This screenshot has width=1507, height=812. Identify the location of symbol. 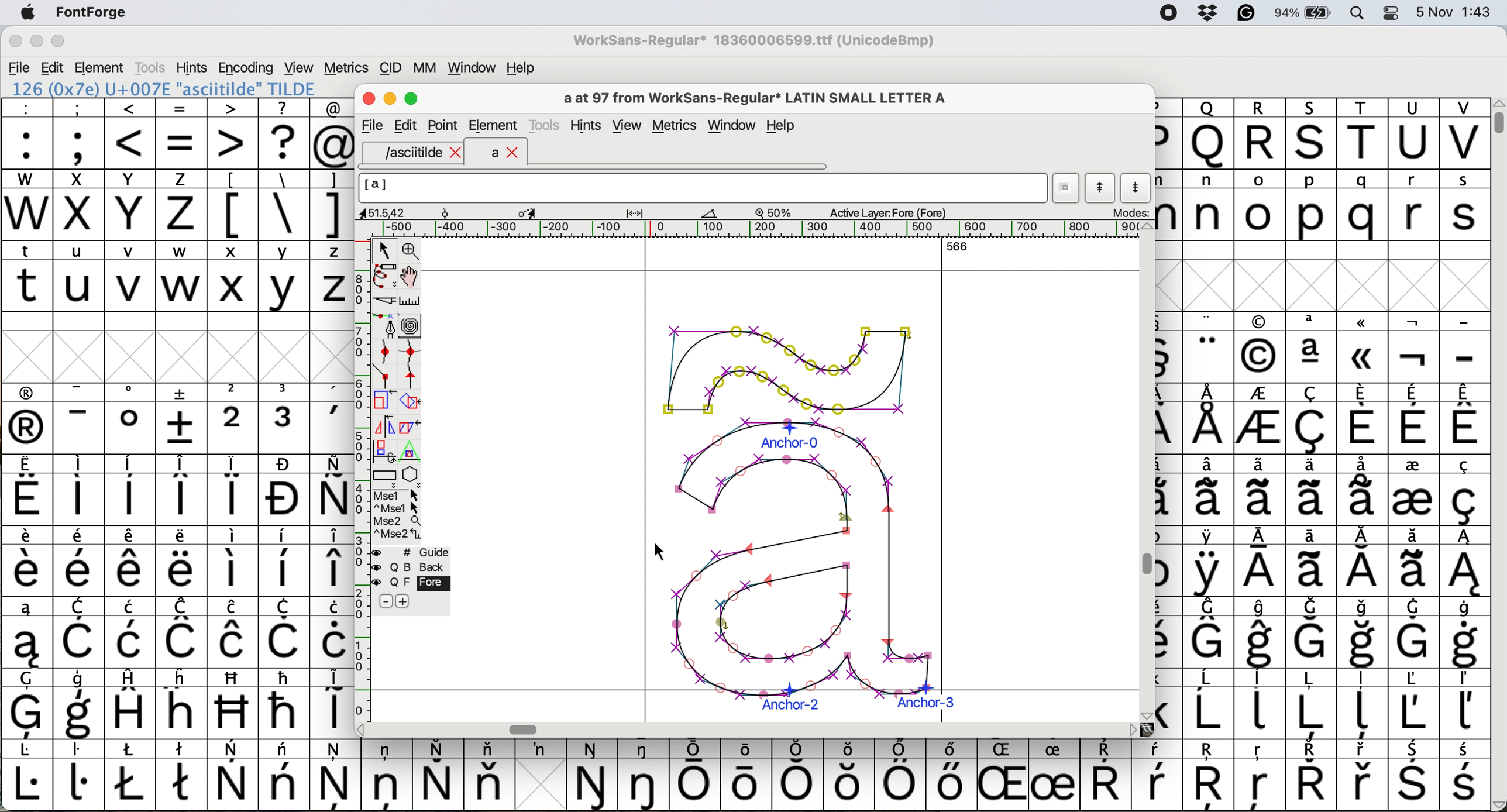
(1414, 776).